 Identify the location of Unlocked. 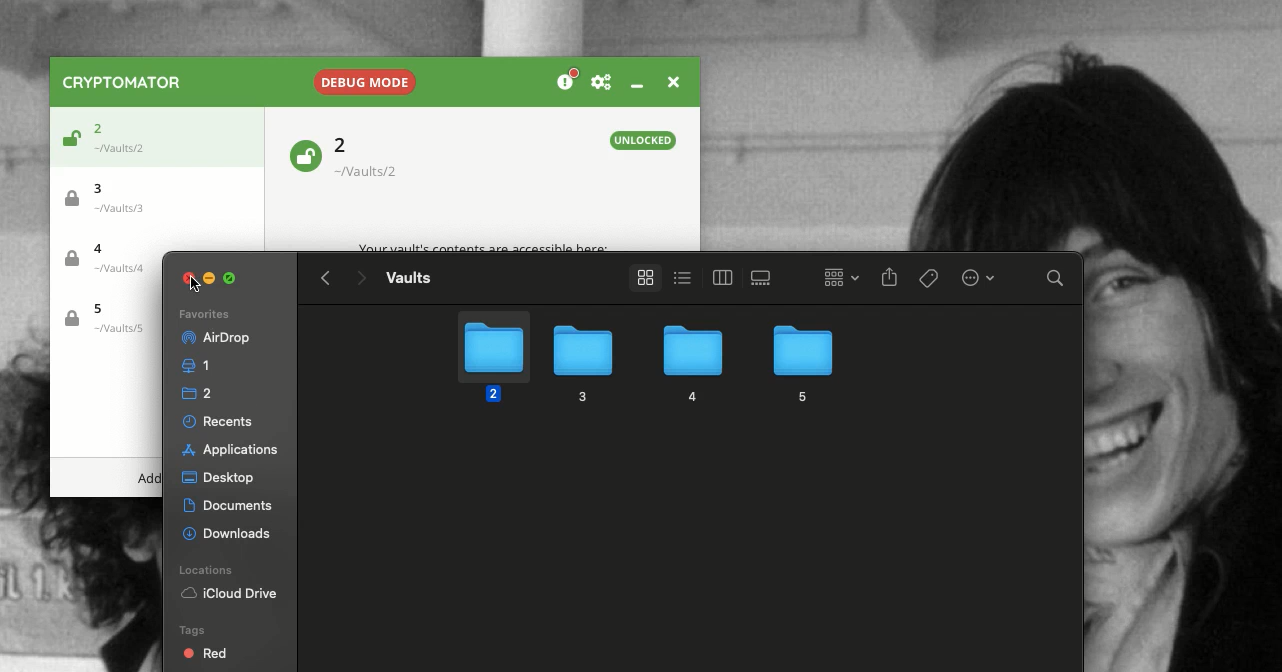
(644, 140).